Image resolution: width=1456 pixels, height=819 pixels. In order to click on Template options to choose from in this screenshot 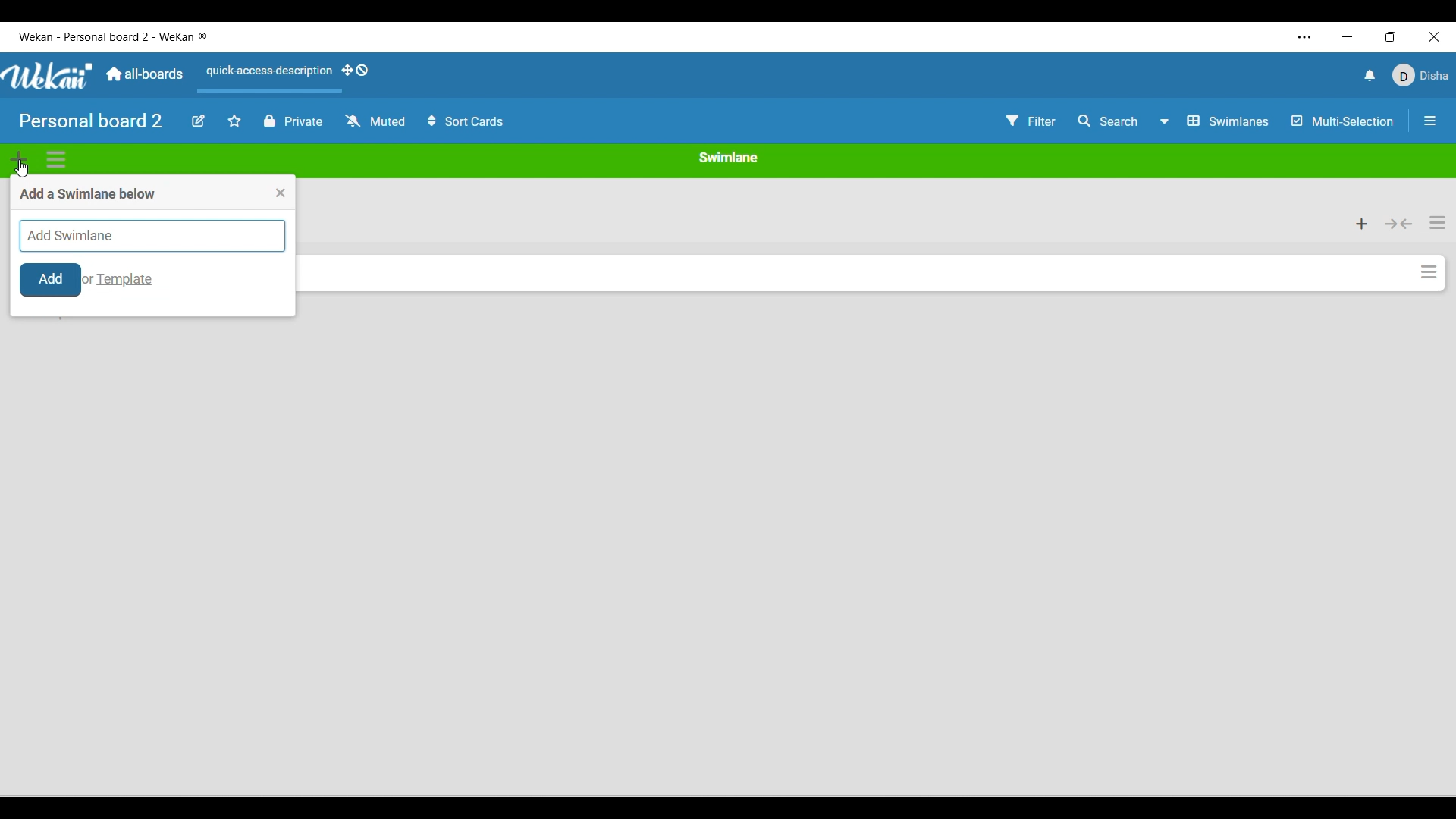, I will do `click(125, 280)`.